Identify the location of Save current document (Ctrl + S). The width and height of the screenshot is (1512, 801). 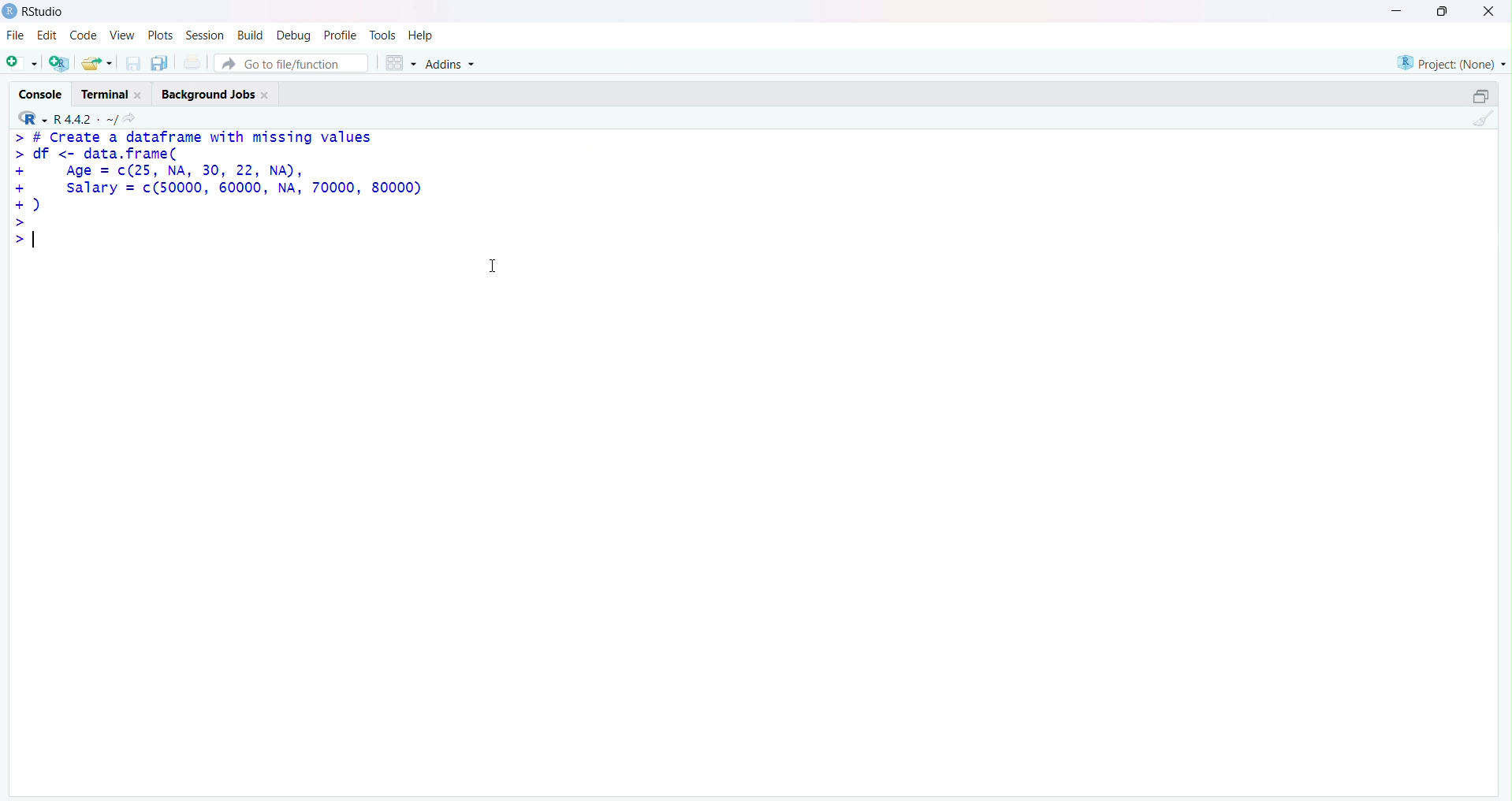
(132, 62).